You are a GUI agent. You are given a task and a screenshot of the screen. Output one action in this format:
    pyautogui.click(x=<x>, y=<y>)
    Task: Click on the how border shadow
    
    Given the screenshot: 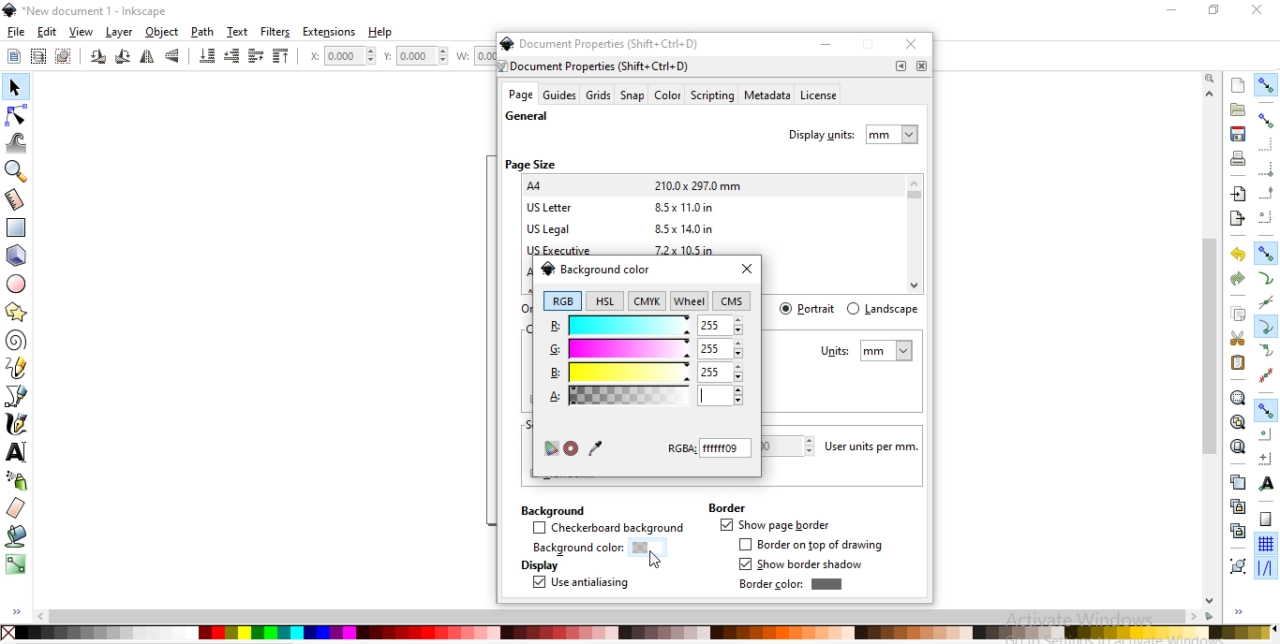 What is the action you would take?
    pyautogui.click(x=804, y=565)
    